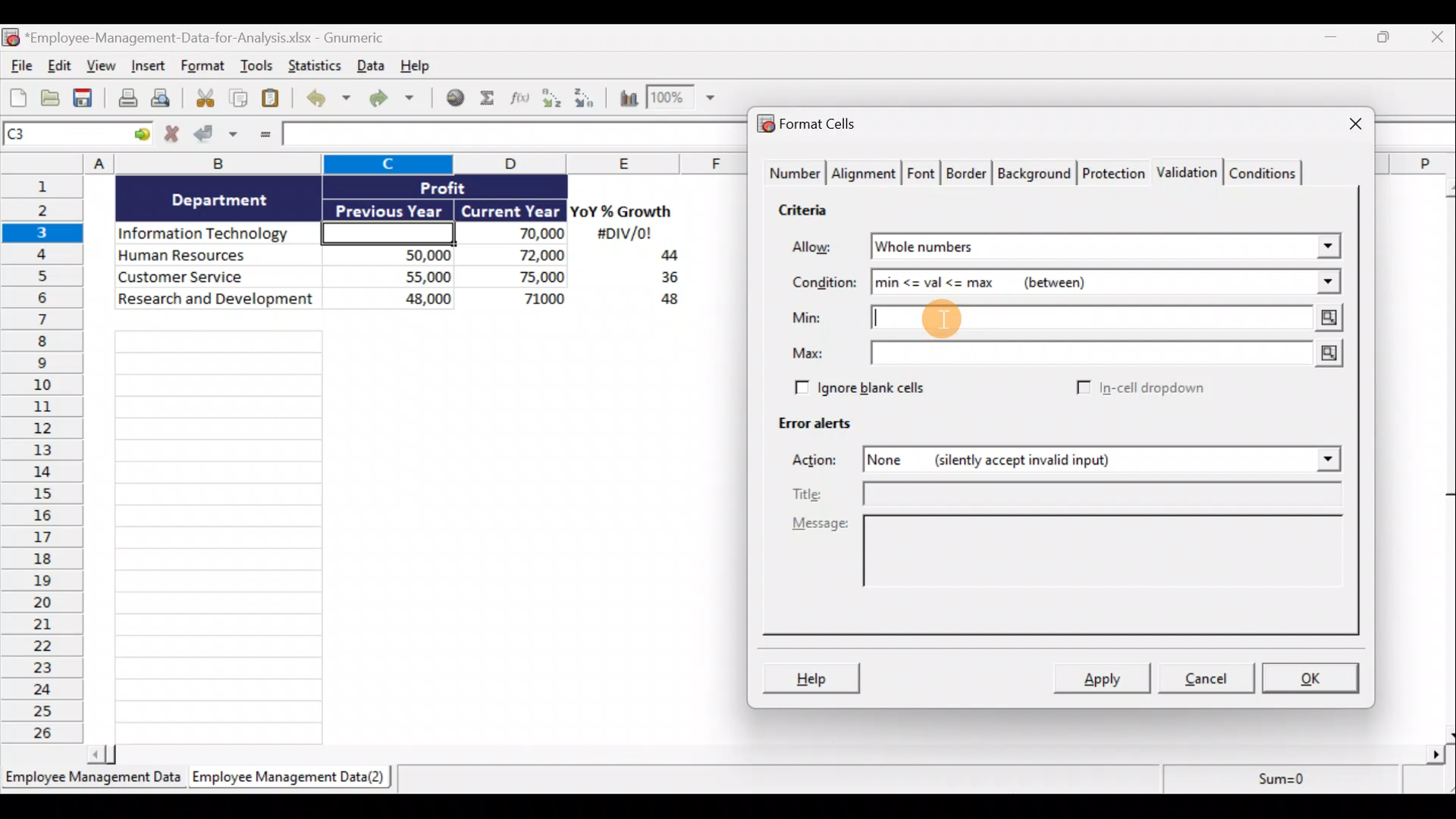 The height and width of the screenshot is (819, 1456). What do you see at coordinates (1385, 41) in the screenshot?
I see `Restore down` at bounding box center [1385, 41].